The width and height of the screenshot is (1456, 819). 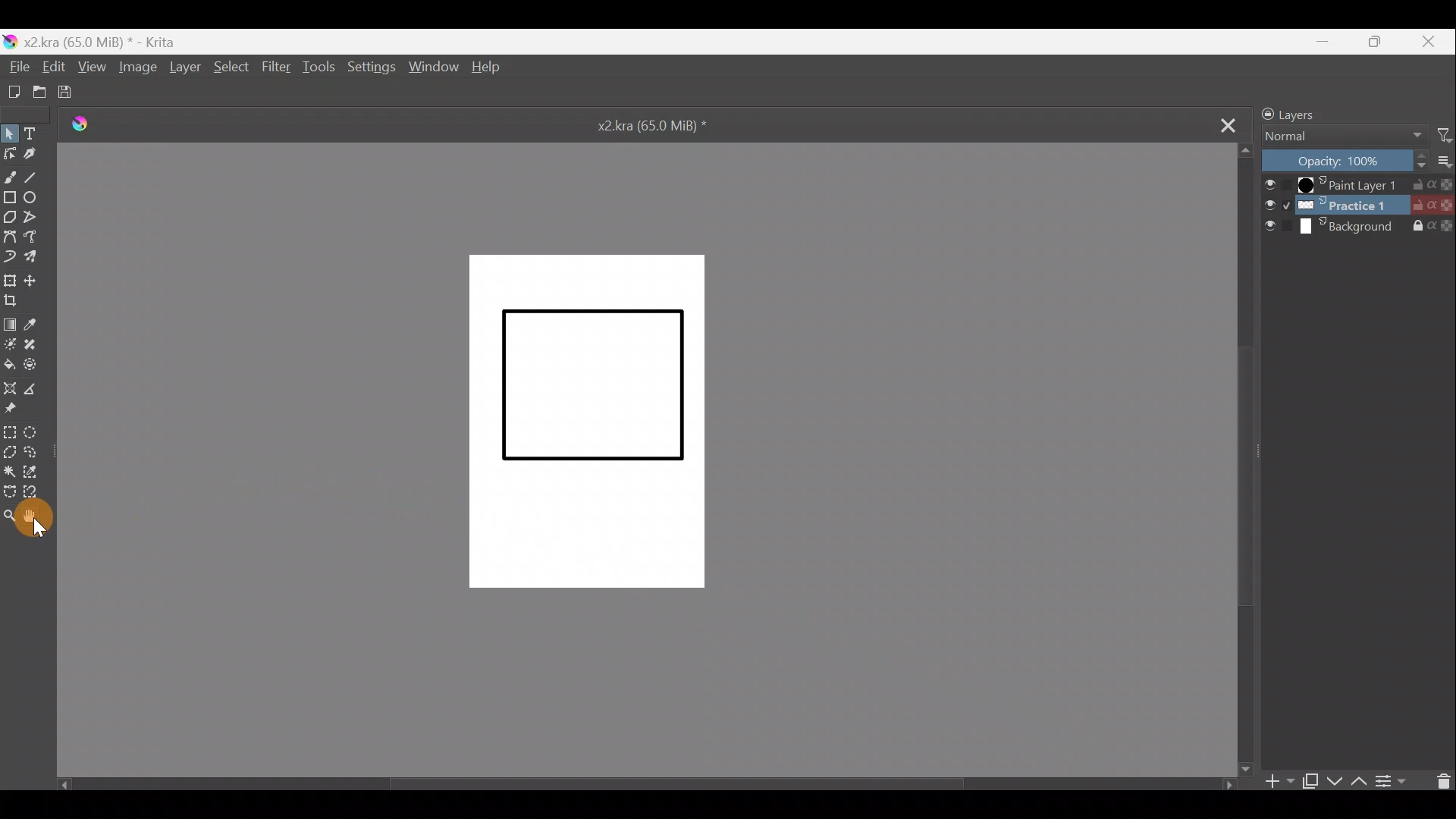 What do you see at coordinates (49, 65) in the screenshot?
I see `Edit` at bounding box center [49, 65].